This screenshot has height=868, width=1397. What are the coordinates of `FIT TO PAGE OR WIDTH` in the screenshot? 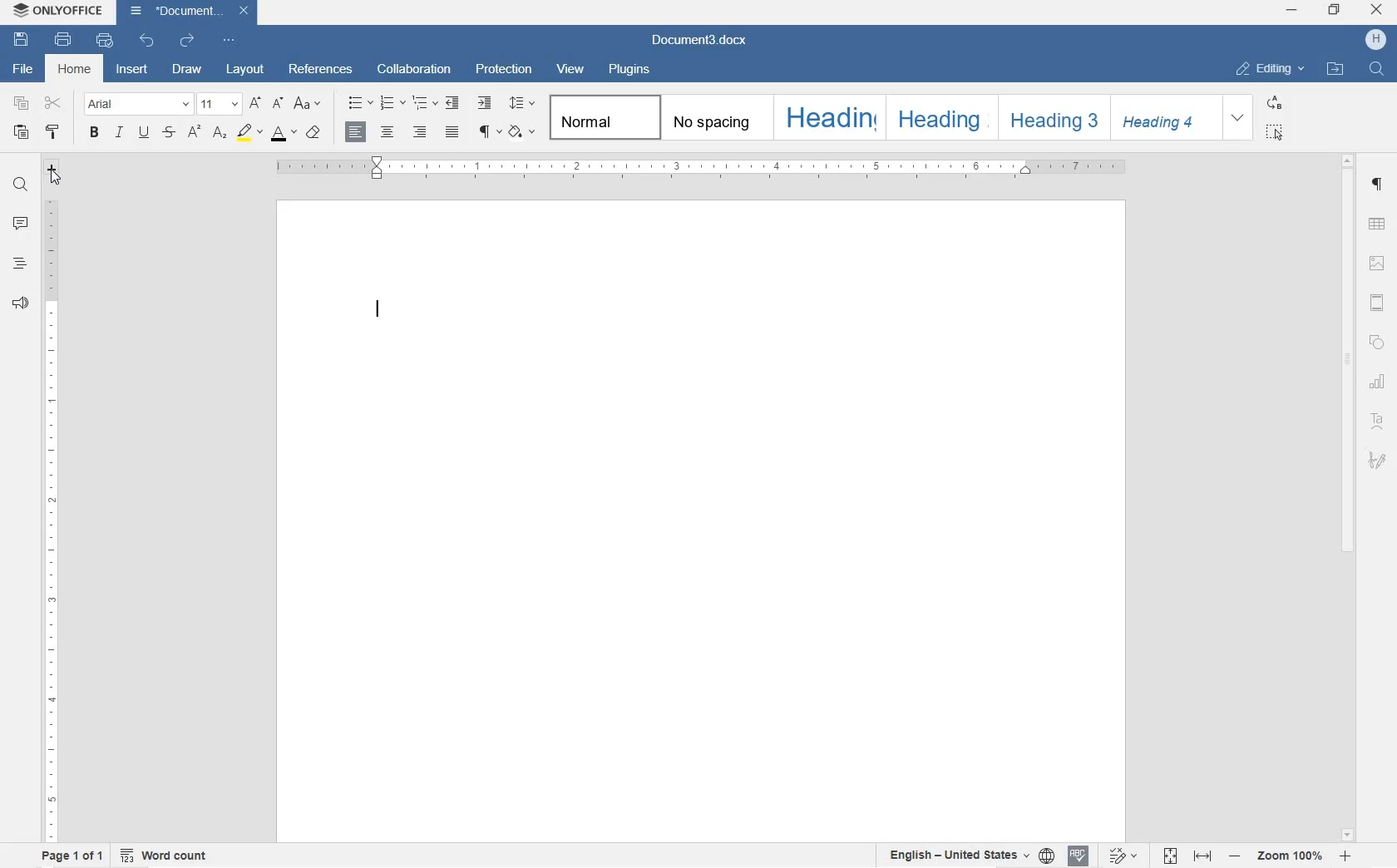 It's located at (1182, 857).